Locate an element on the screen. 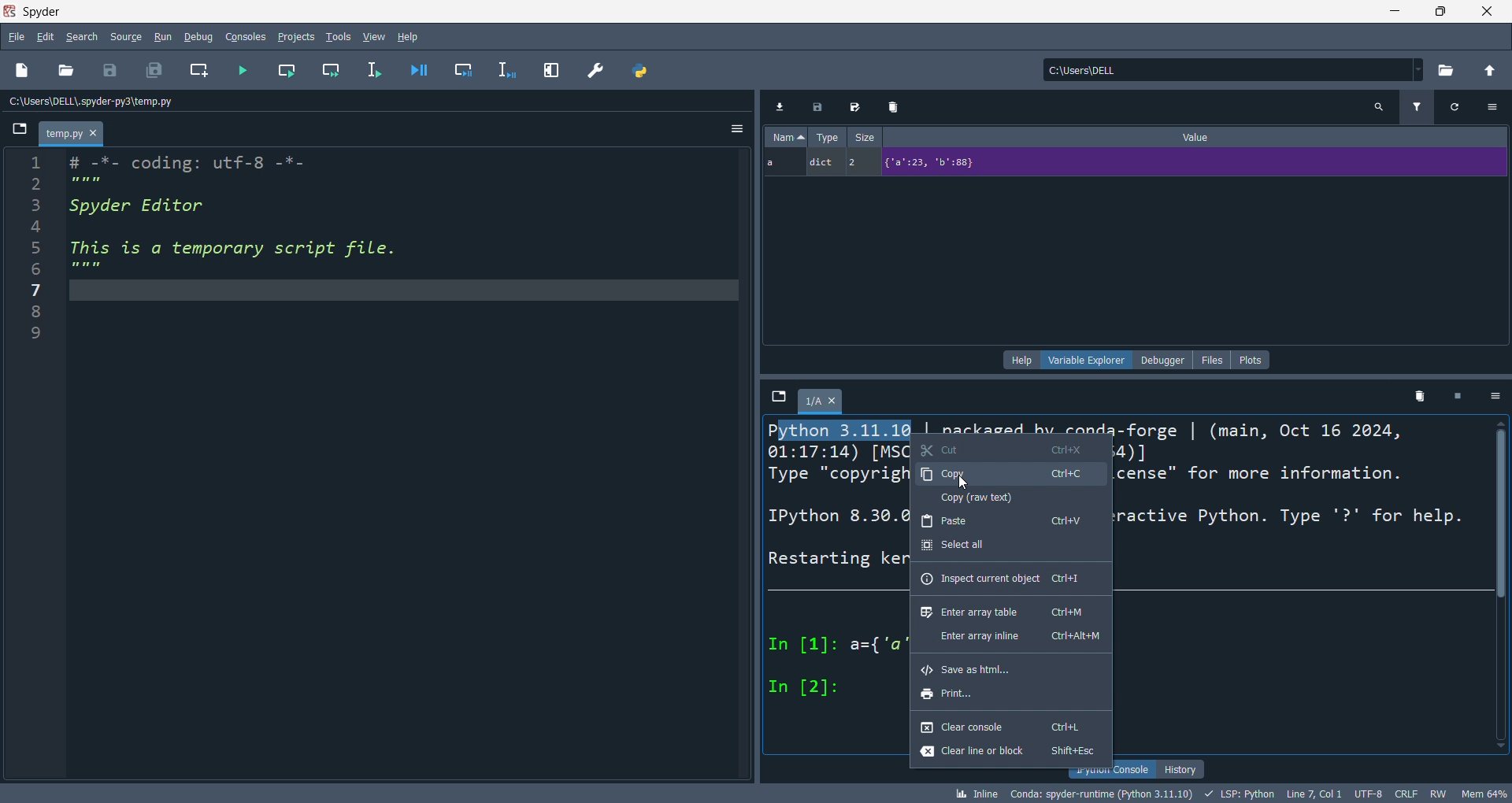  run cell is located at coordinates (291, 68).